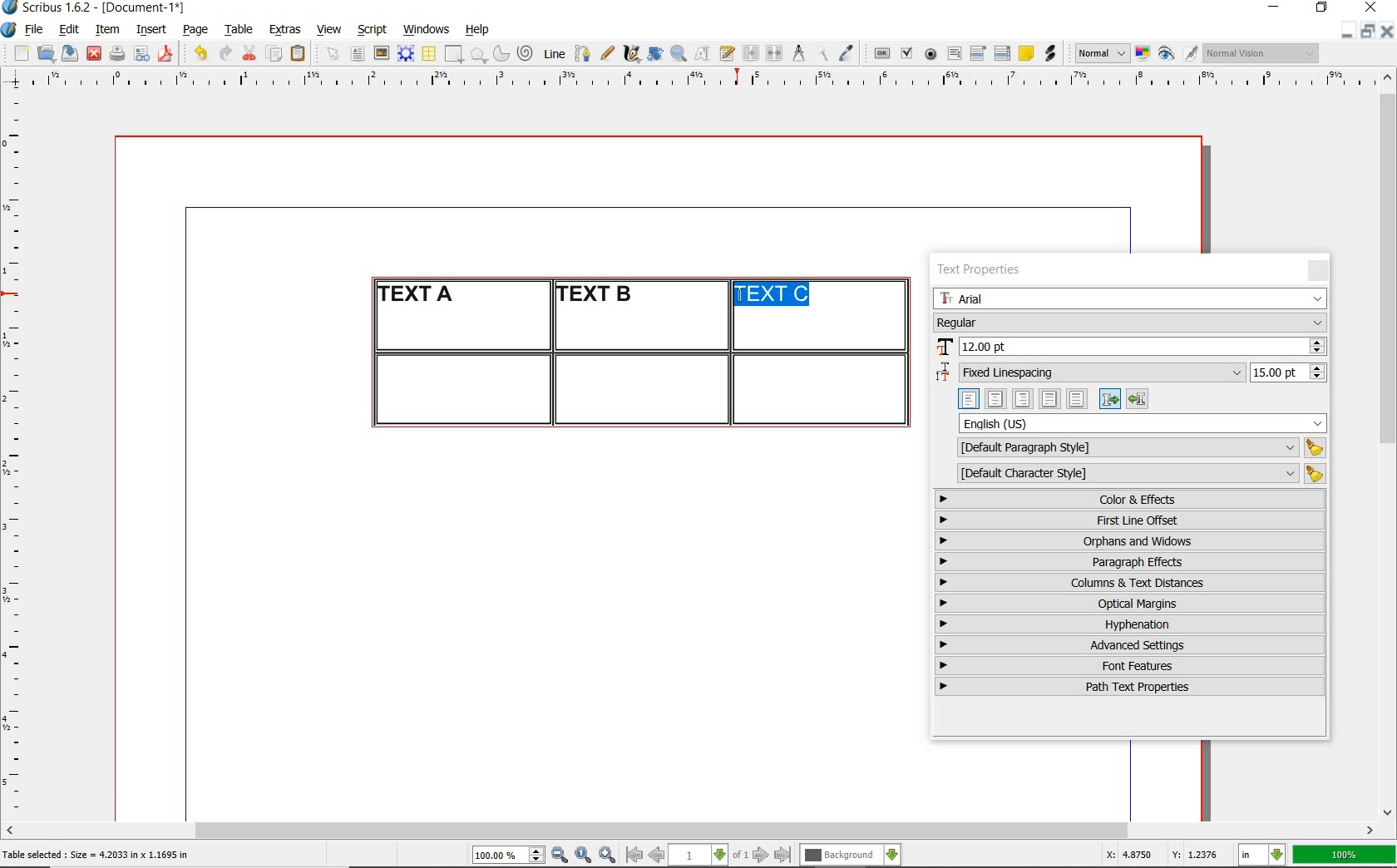 The width and height of the screenshot is (1397, 868). I want to click on zoom in, so click(608, 856).